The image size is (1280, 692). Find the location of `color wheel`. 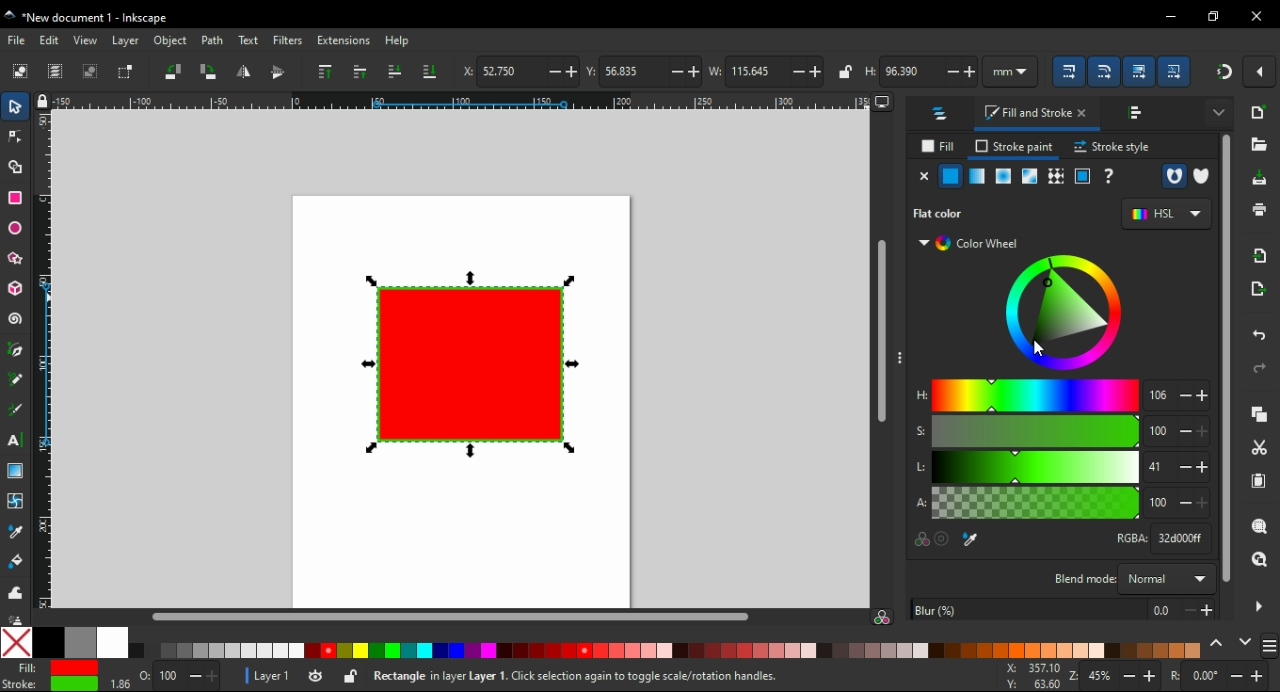

color wheel is located at coordinates (972, 244).